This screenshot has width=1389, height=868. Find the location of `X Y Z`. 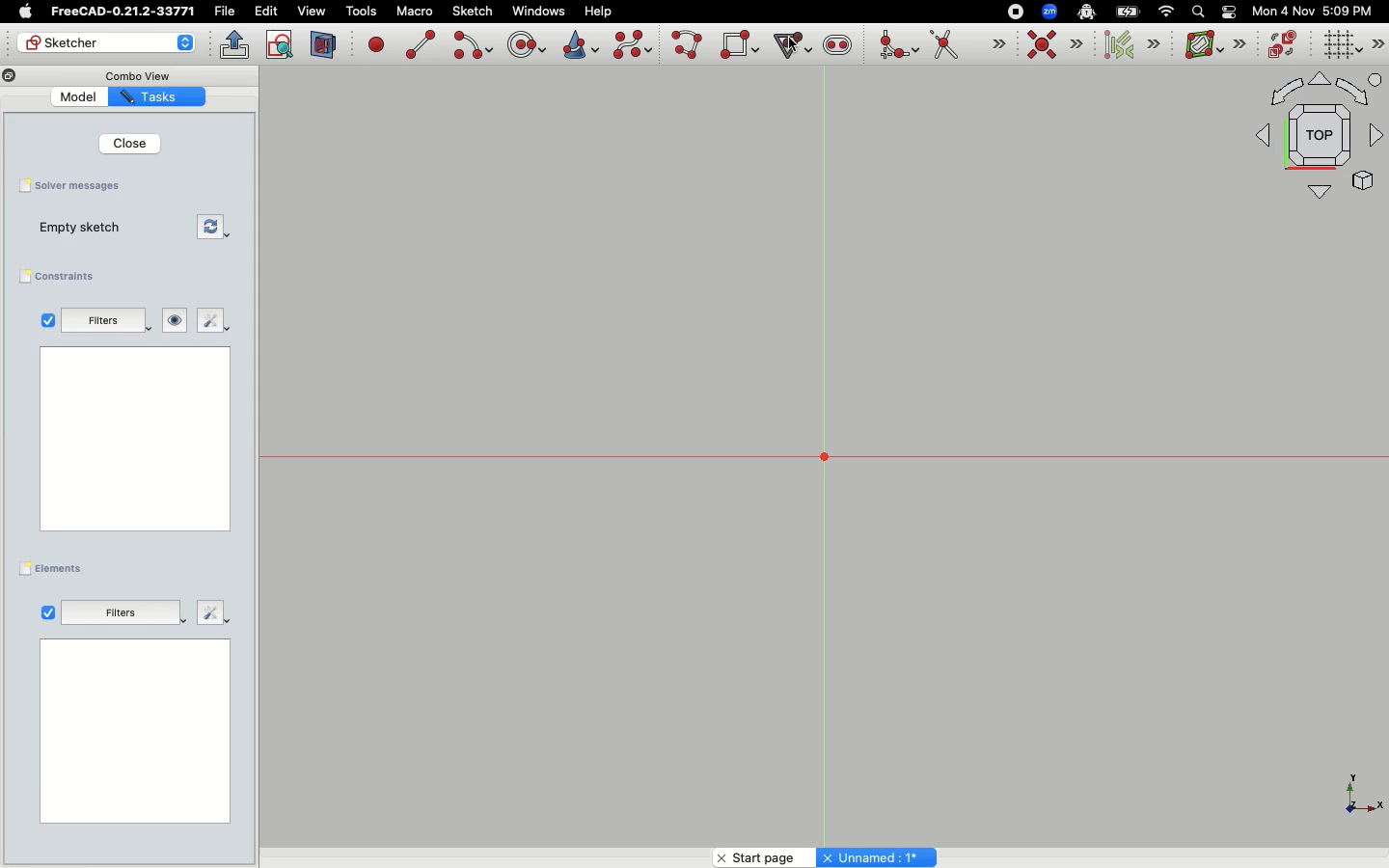

X Y Z is located at coordinates (1358, 793).